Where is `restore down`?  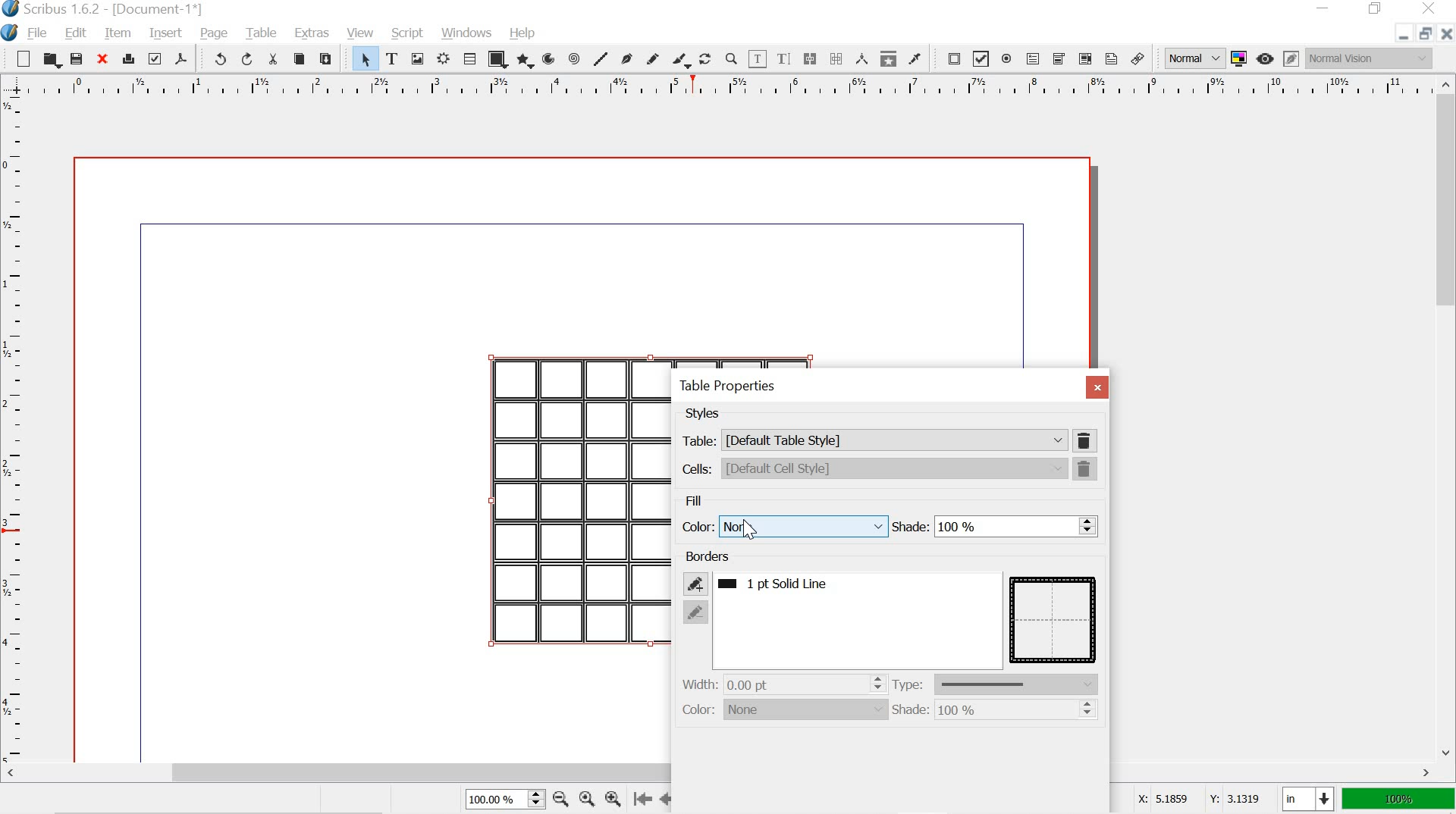 restore down is located at coordinates (1423, 32).